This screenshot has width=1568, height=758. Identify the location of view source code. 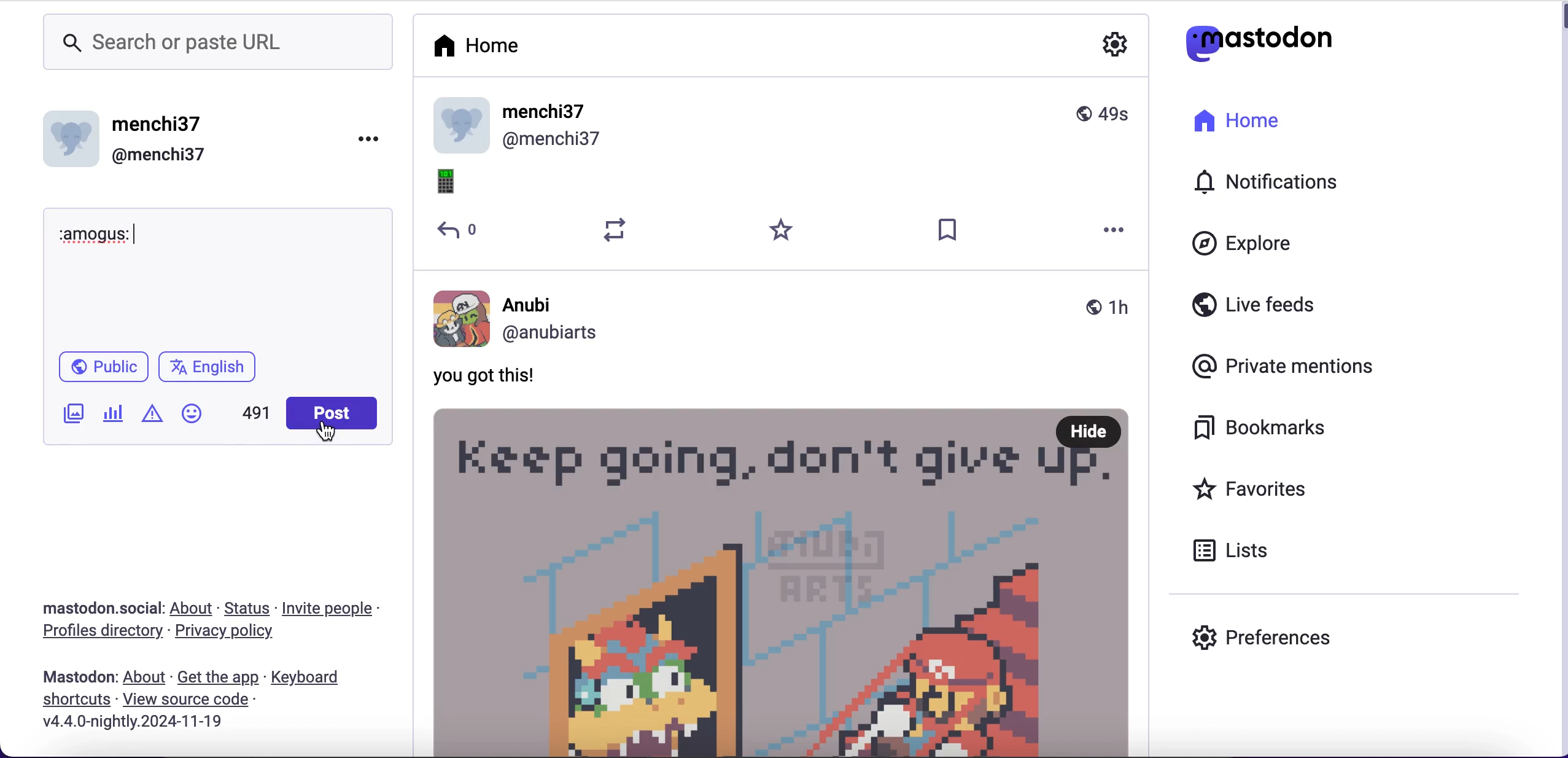
(209, 701).